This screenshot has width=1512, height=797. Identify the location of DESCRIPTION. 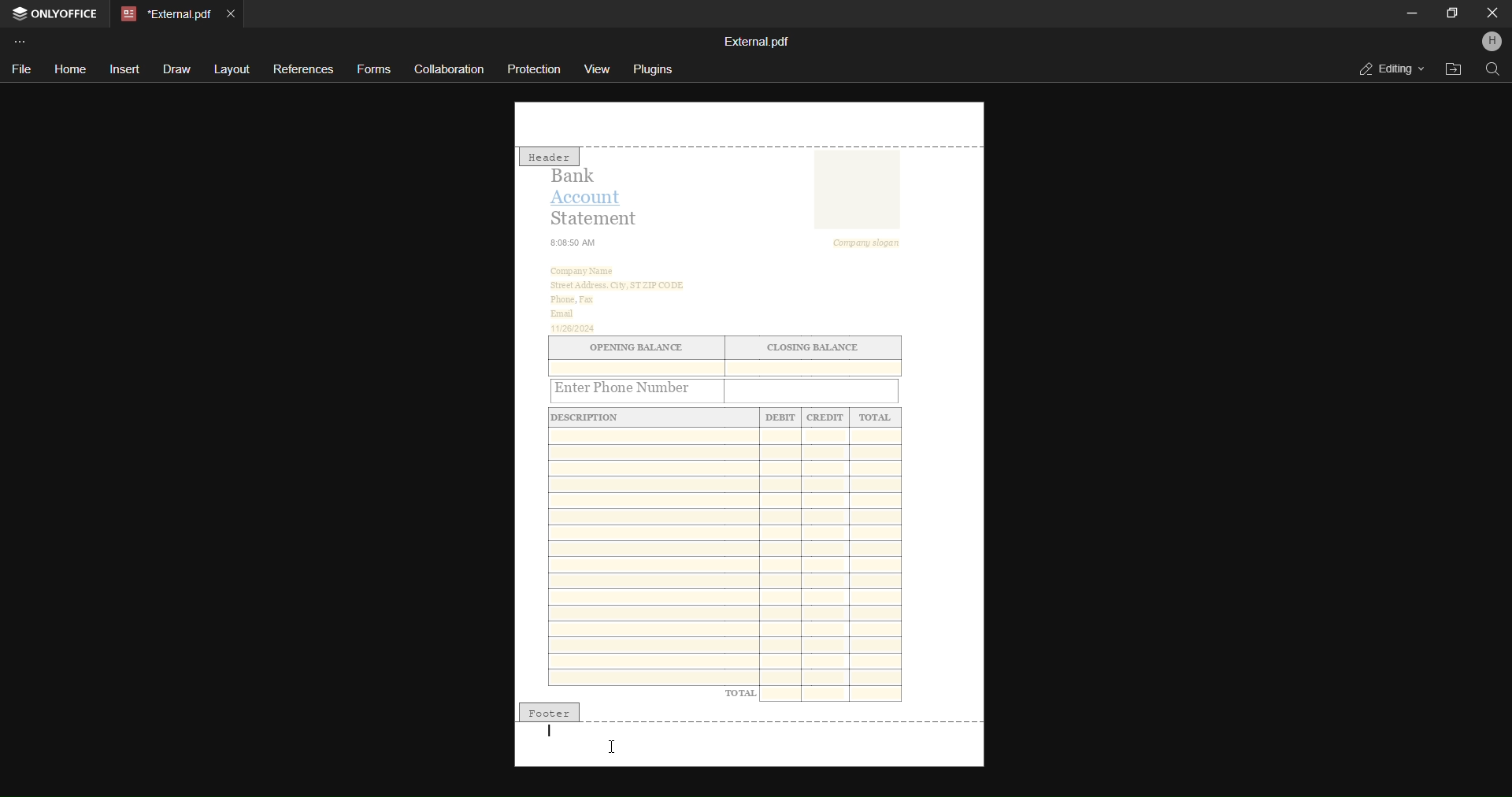
(595, 417).